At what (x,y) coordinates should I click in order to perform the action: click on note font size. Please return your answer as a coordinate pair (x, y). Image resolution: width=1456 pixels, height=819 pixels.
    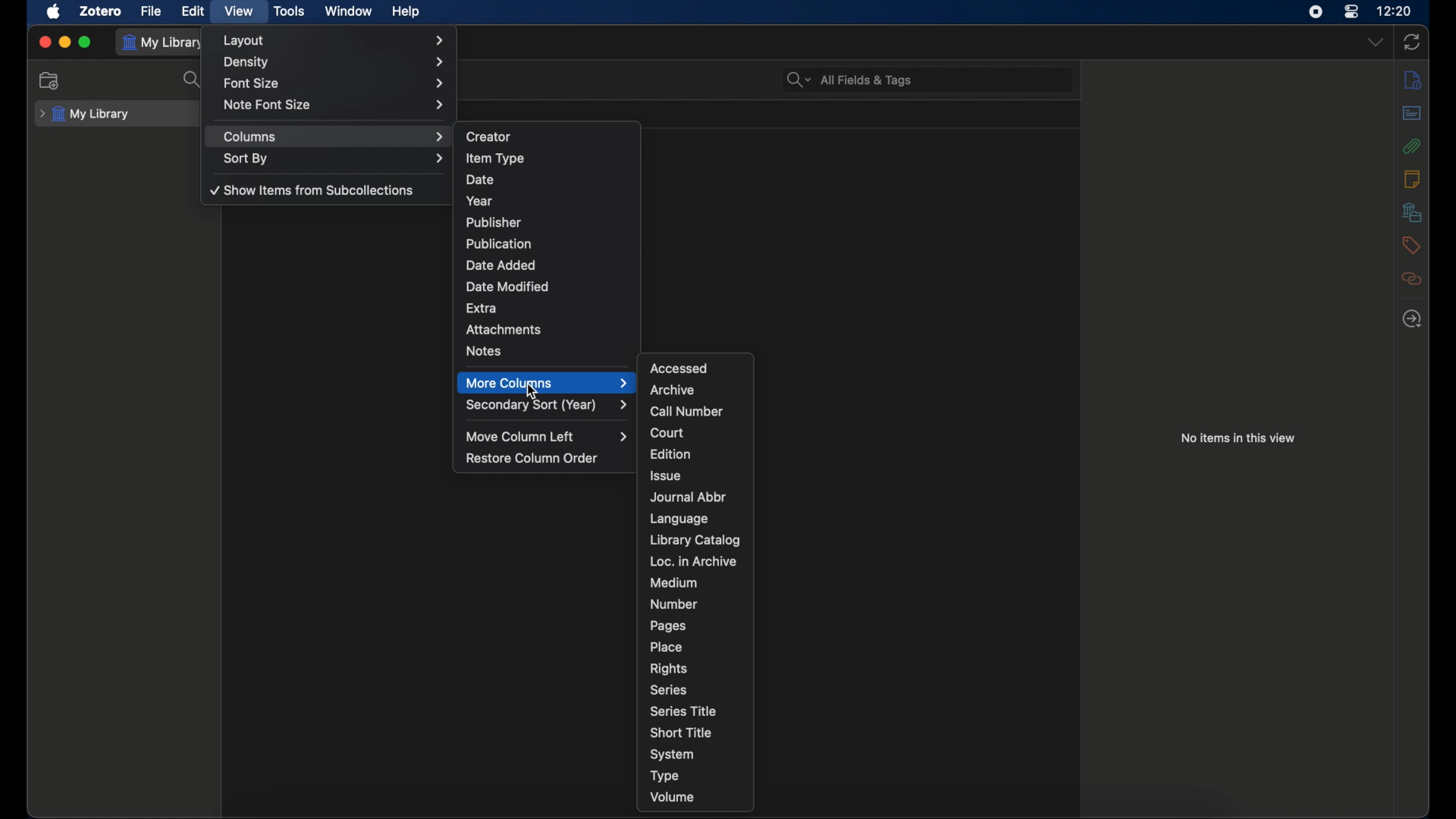
    Looking at the image, I should click on (335, 105).